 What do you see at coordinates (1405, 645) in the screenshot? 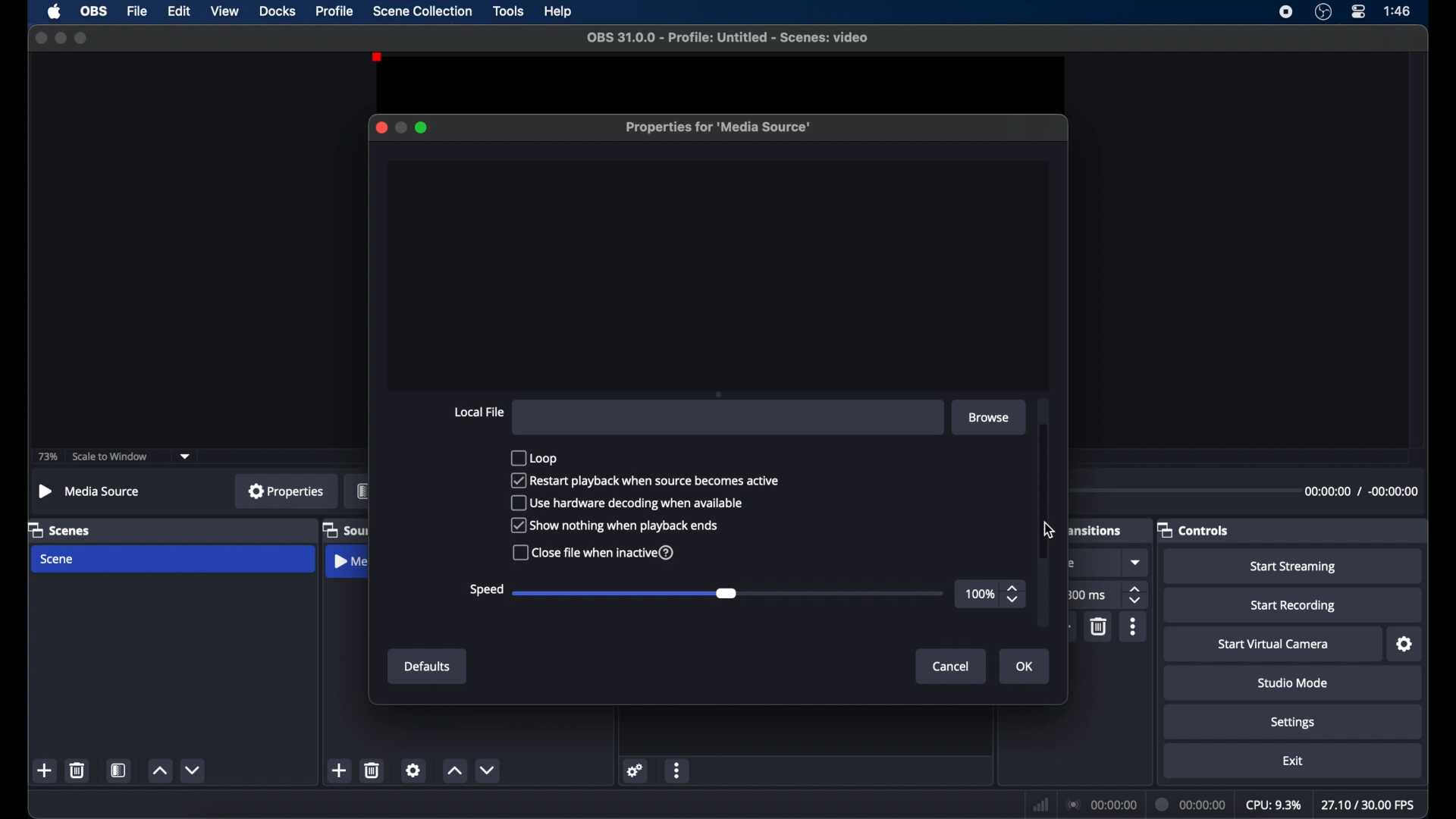
I see `settings` at bounding box center [1405, 645].